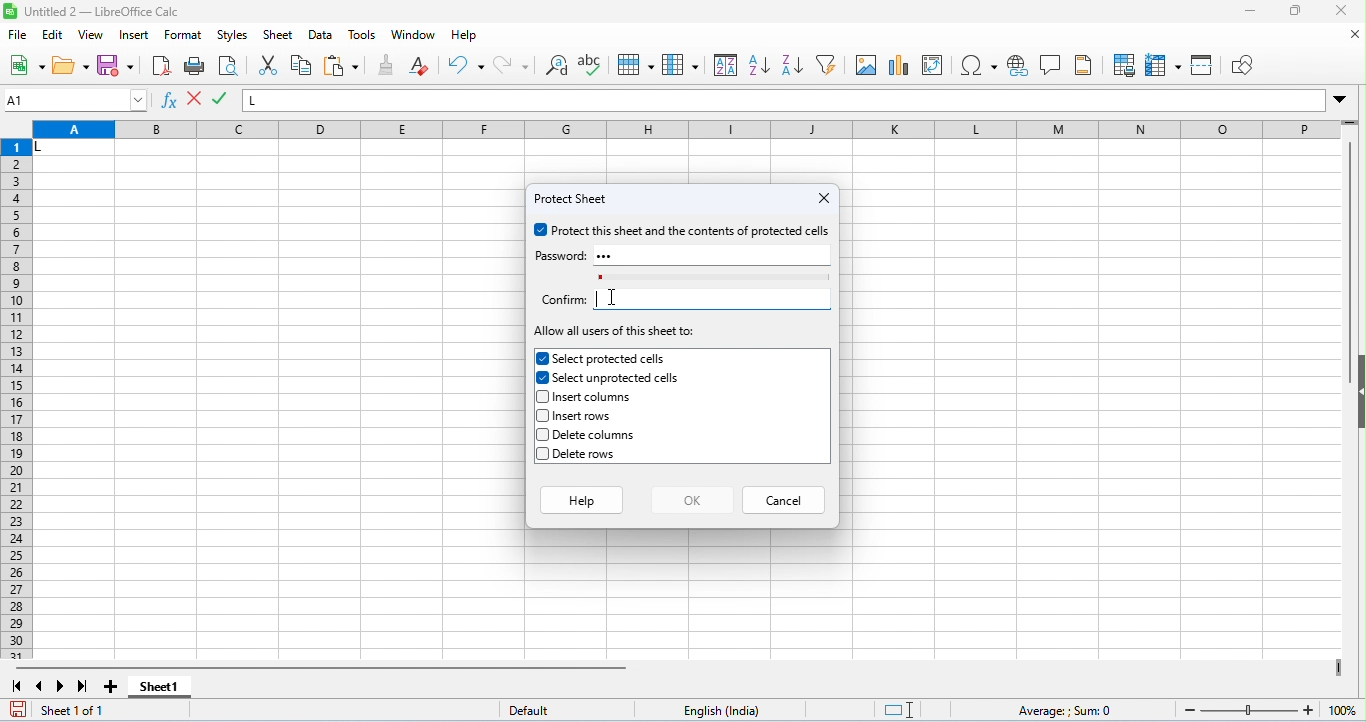  What do you see at coordinates (94, 11) in the screenshot?
I see `untitled 2- libreoffice calc` at bounding box center [94, 11].